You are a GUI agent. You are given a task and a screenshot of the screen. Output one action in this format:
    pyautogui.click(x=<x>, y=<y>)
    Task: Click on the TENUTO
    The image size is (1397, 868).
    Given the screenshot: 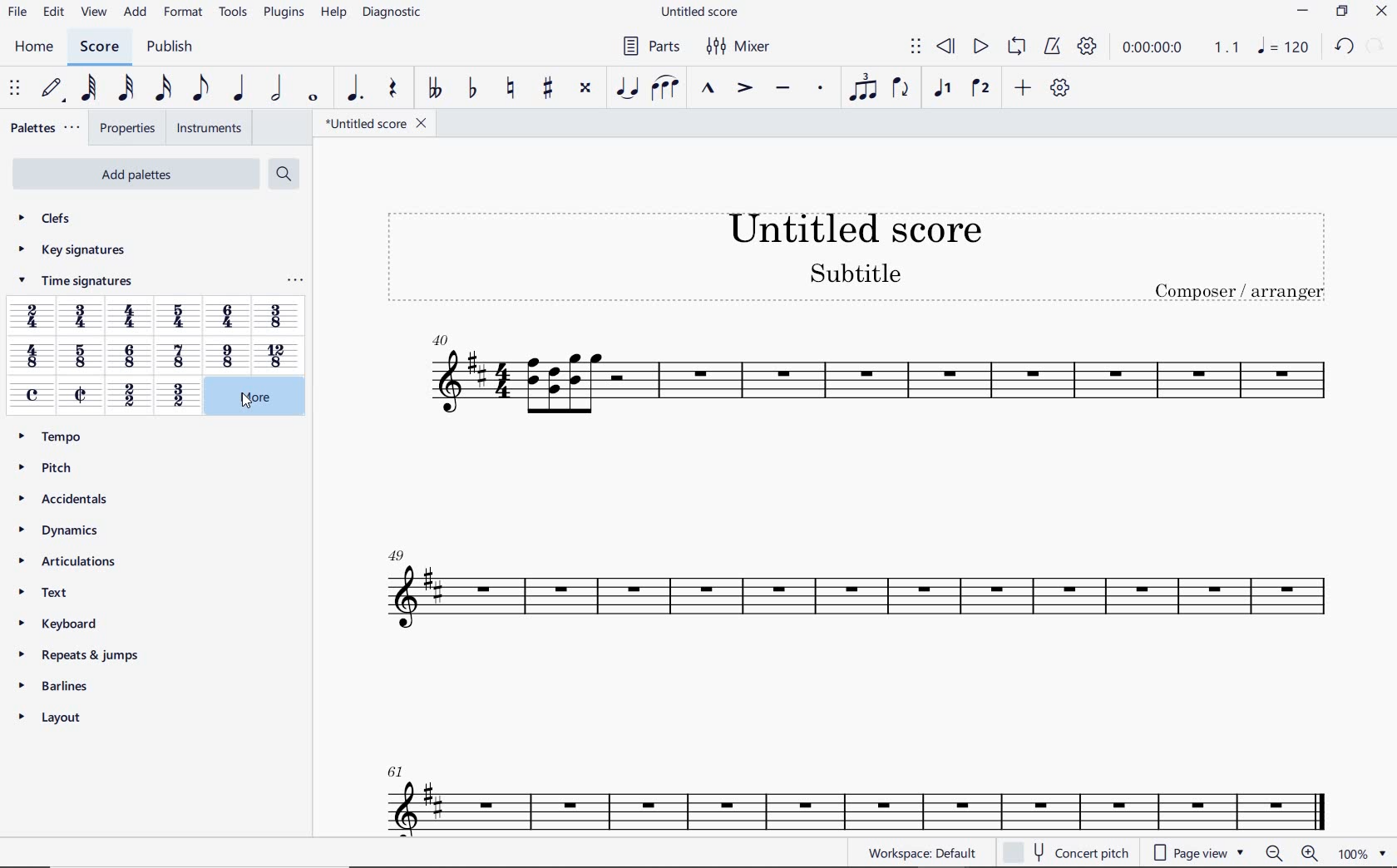 What is the action you would take?
    pyautogui.click(x=782, y=89)
    